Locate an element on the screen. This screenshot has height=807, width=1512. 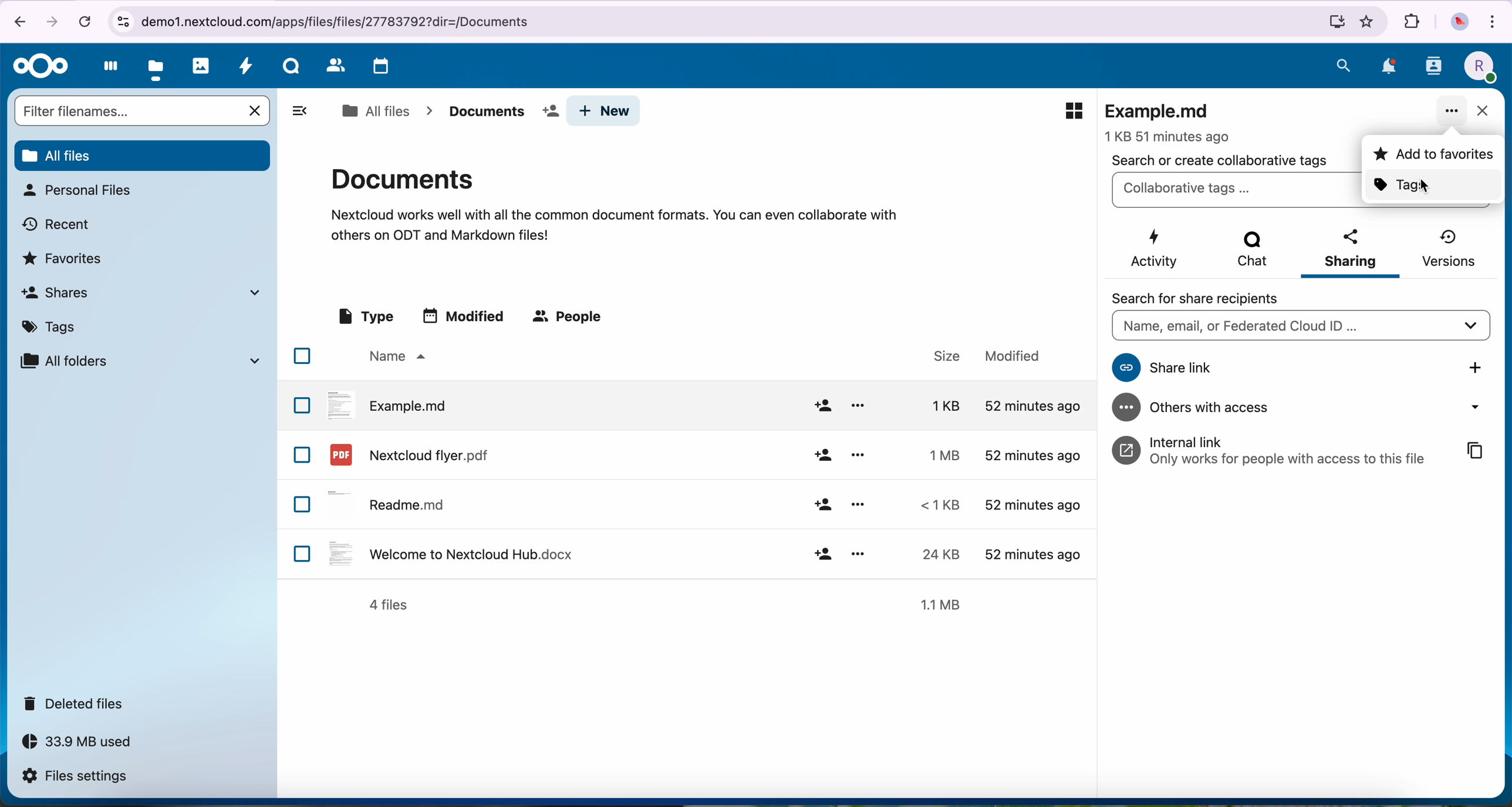
navigate back is located at coordinates (15, 21).